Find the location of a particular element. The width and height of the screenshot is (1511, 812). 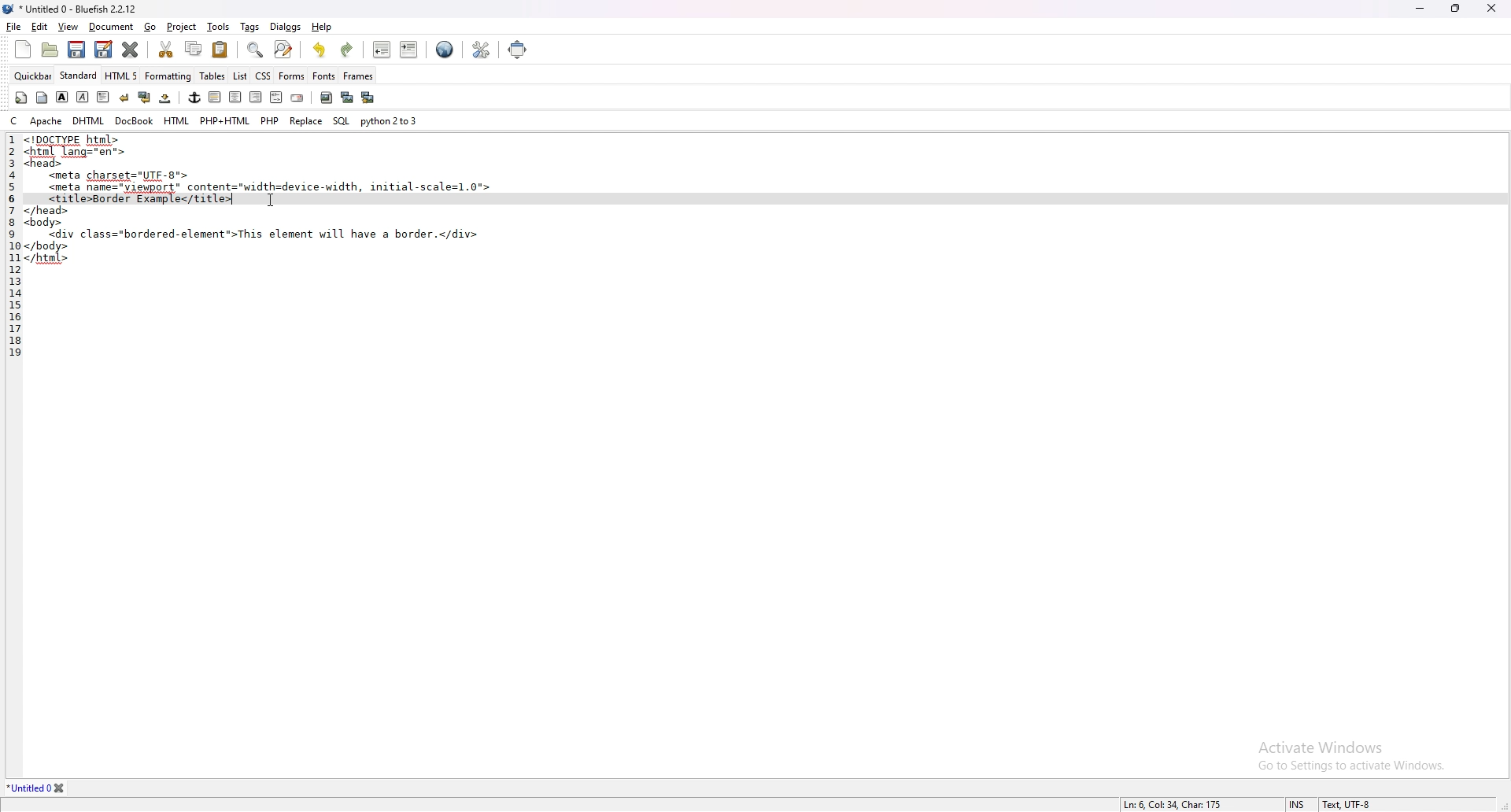

indent is located at coordinates (410, 49).